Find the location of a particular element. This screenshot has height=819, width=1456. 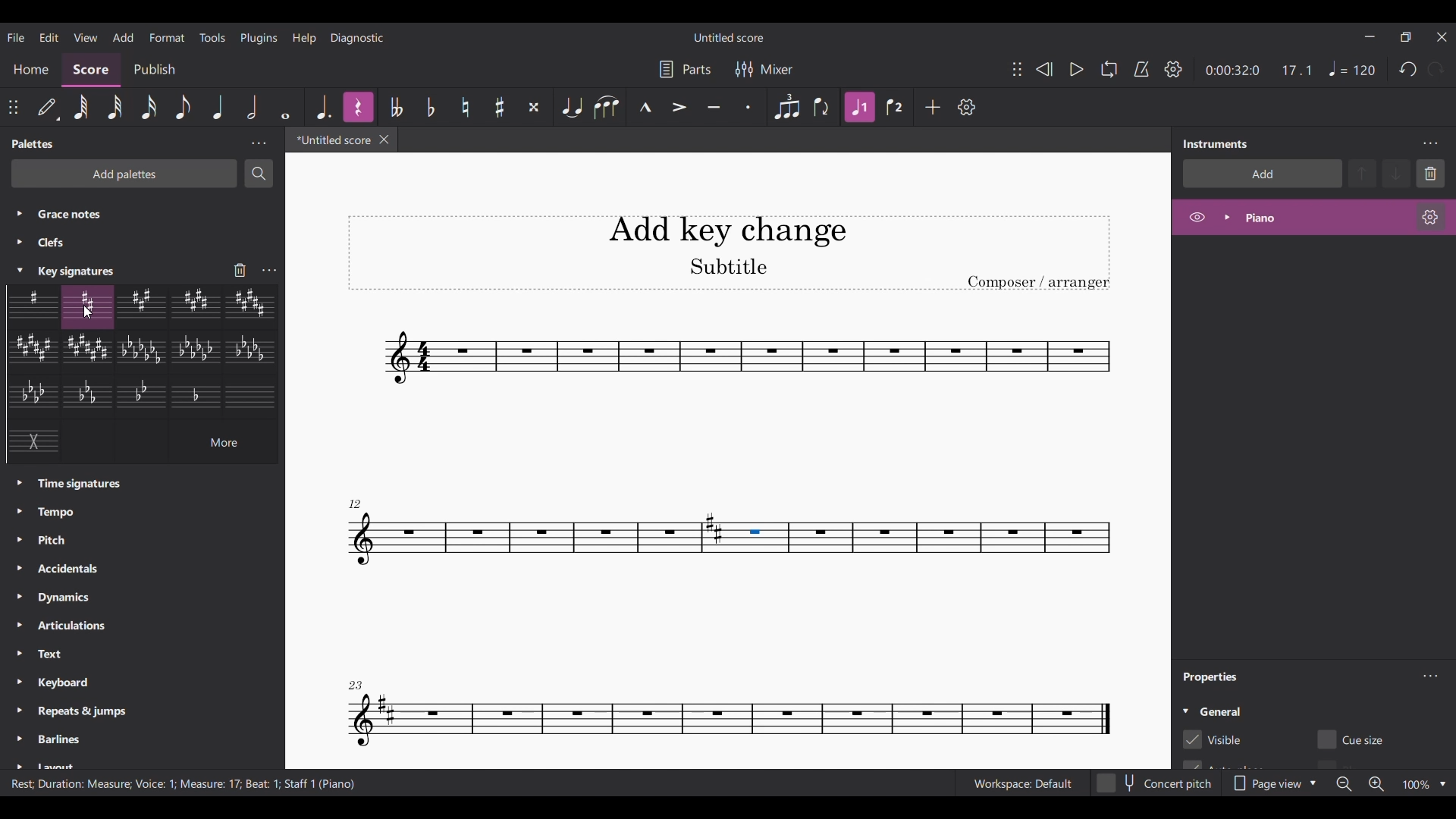

Panel title is located at coordinates (36, 143).